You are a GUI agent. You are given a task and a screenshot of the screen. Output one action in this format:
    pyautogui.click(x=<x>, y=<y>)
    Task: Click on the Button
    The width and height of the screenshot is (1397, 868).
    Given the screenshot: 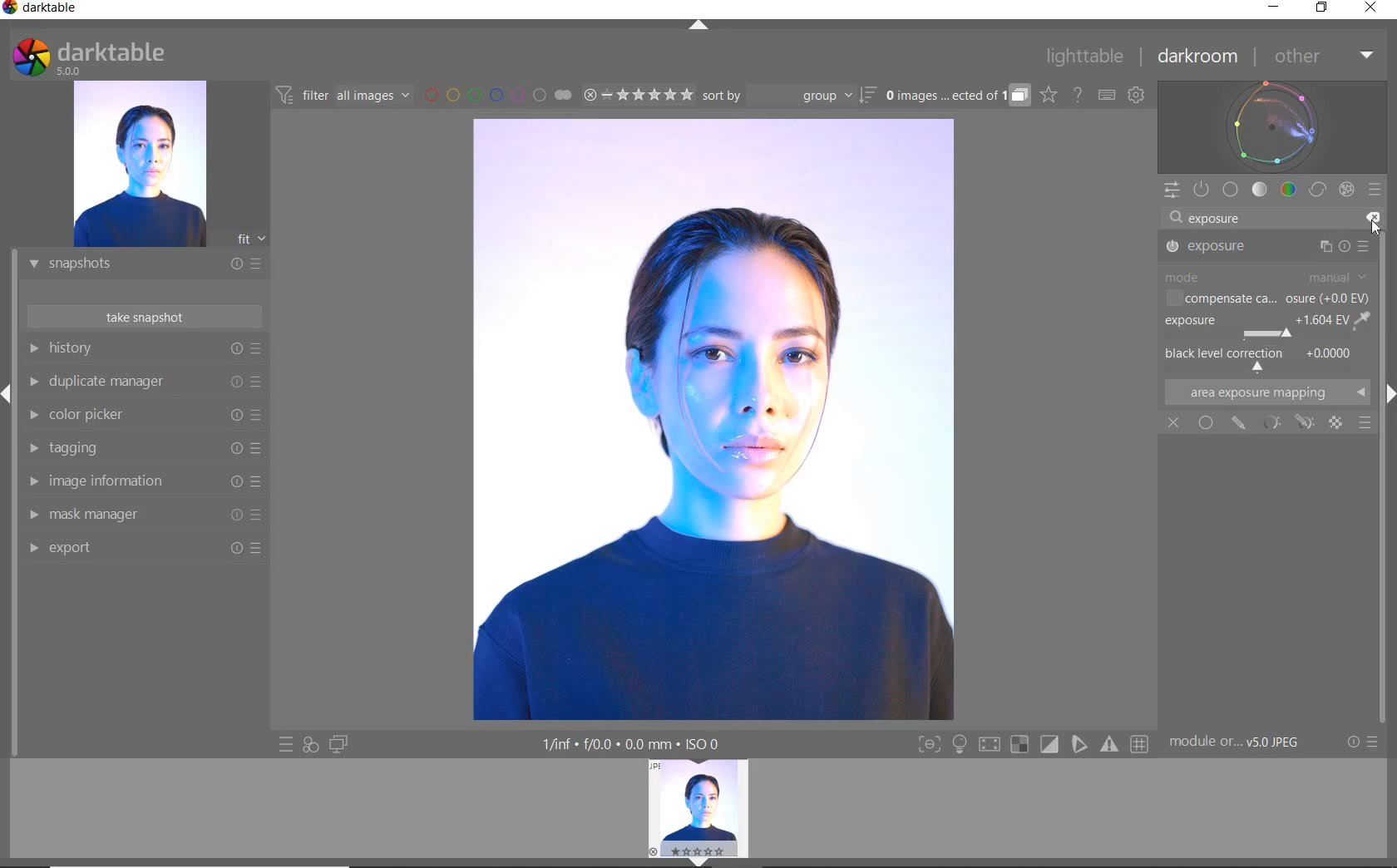 What is the action you would take?
    pyautogui.click(x=1019, y=745)
    